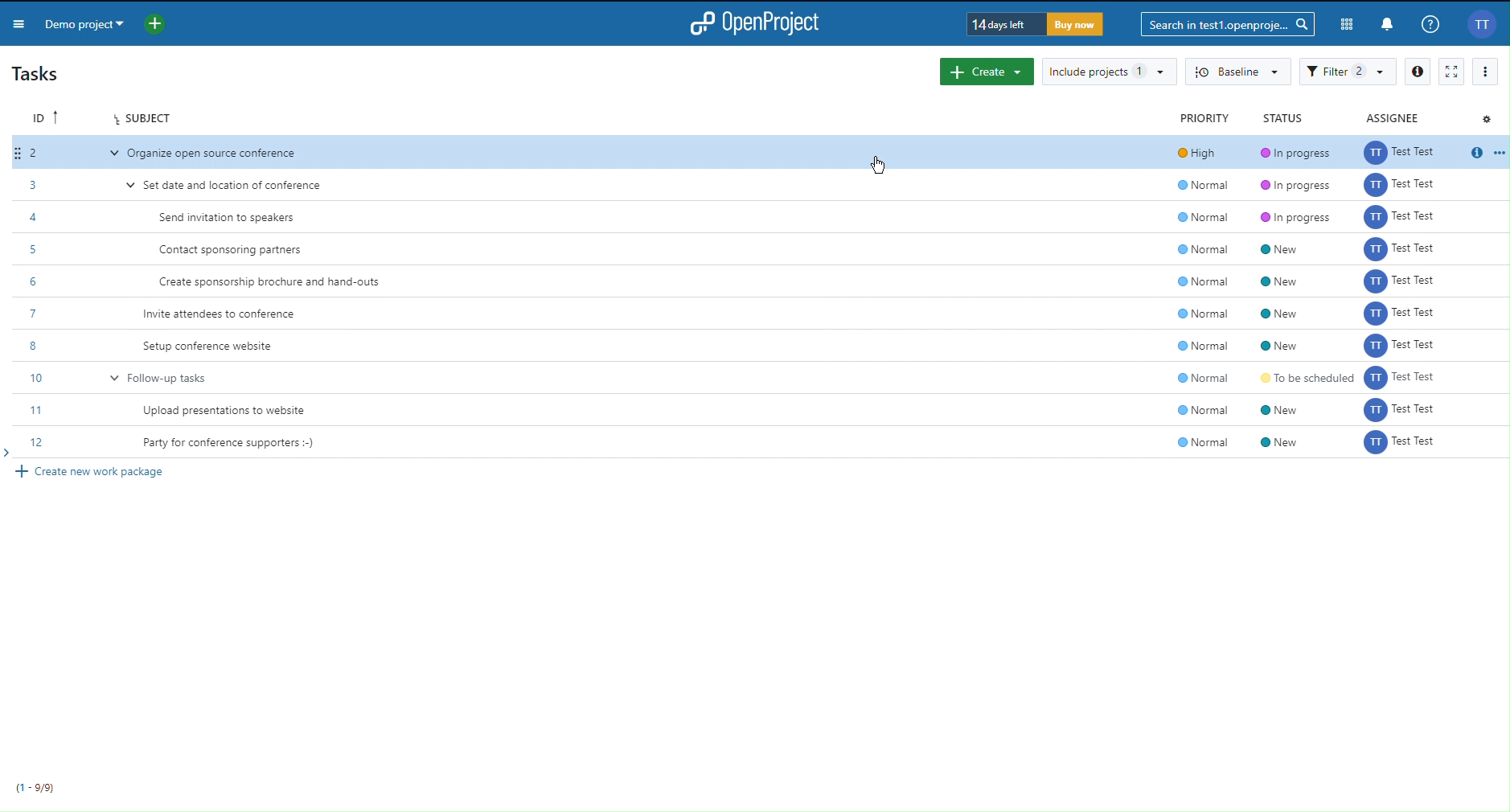  What do you see at coordinates (760, 184) in the screenshot?
I see `3 Vv Set date and location of conference @Normal ~~ @ In progress Jest Test.` at bounding box center [760, 184].